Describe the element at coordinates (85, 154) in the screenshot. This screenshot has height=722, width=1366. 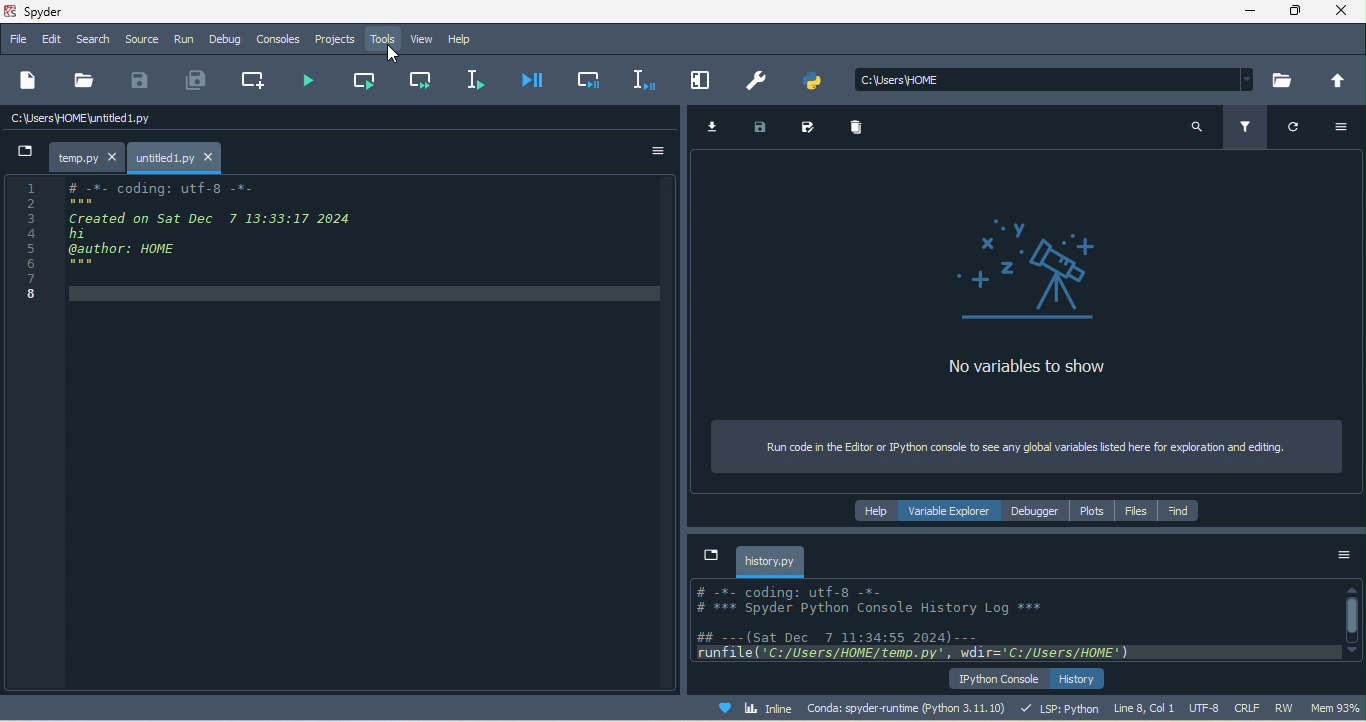
I see `temp.py tab` at that location.